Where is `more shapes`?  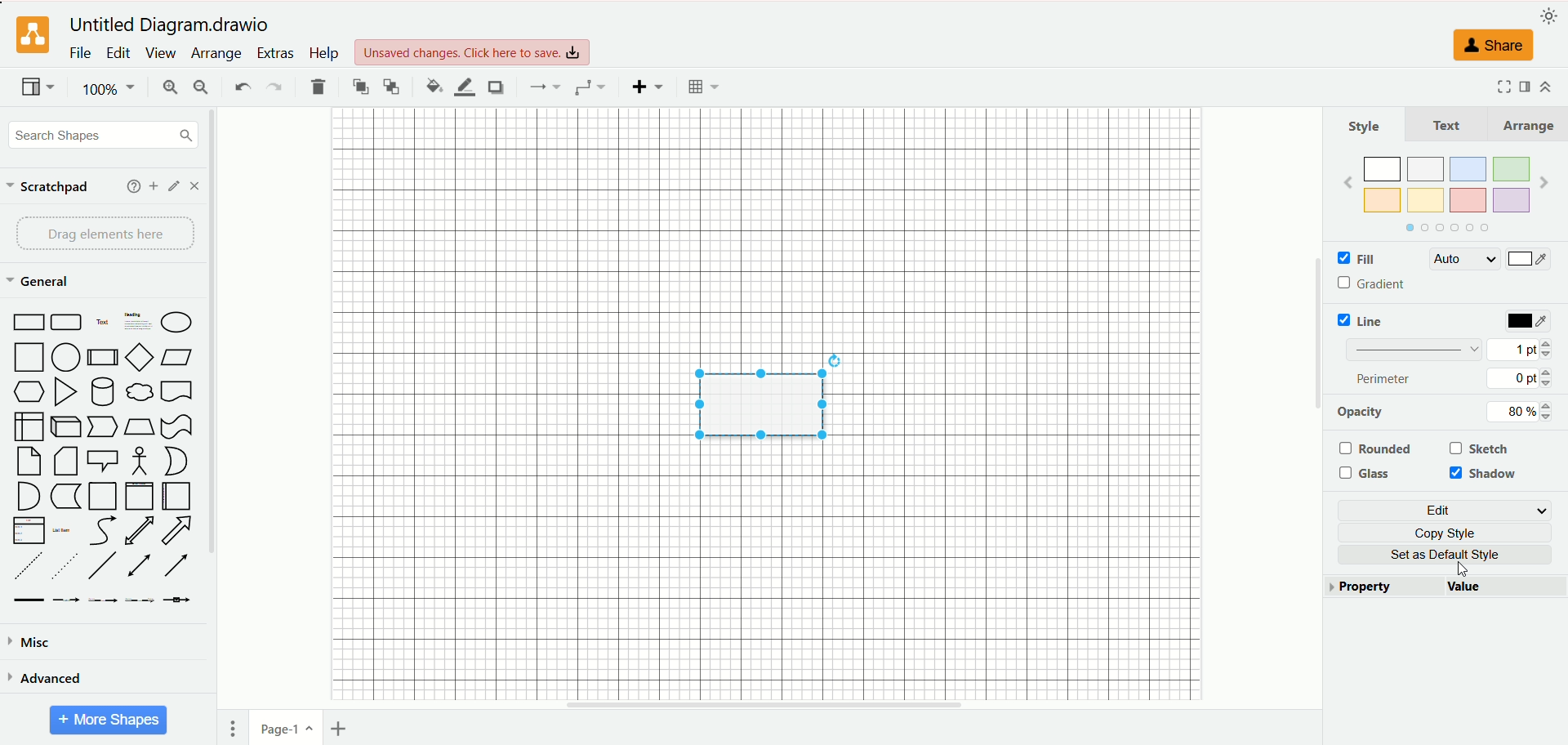
more shapes is located at coordinates (109, 720).